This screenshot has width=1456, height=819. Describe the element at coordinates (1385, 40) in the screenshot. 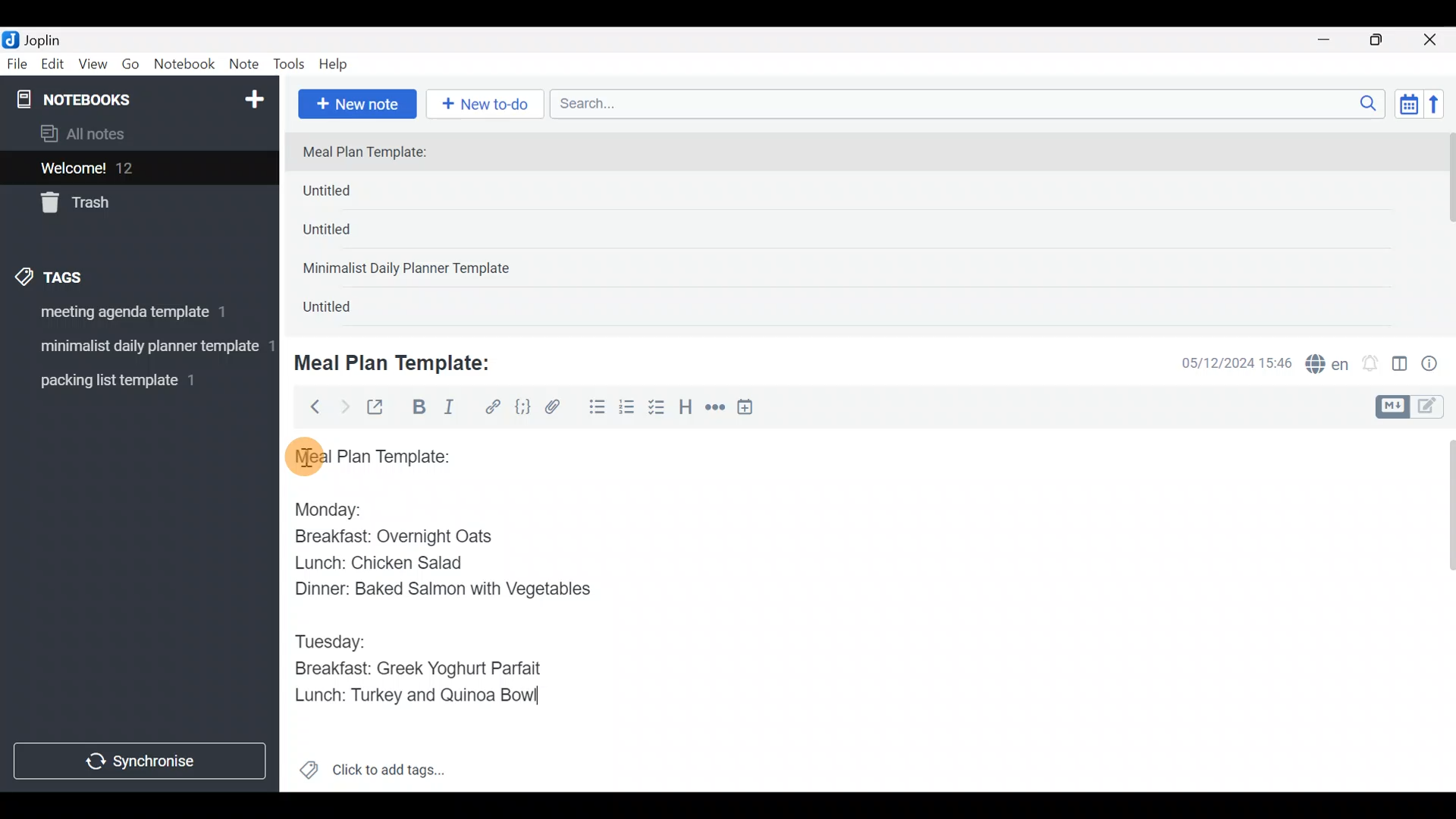

I see `Maximize` at that location.